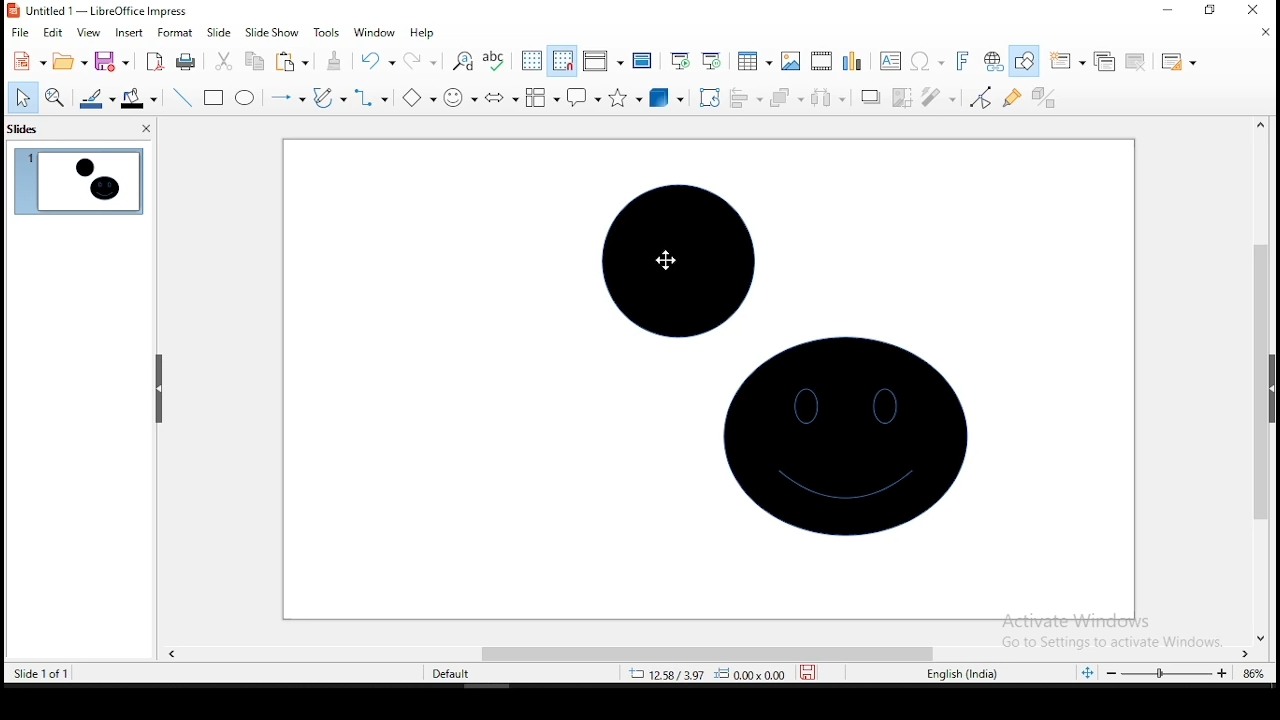  What do you see at coordinates (1086, 671) in the screenshot?
I see `fit slide to current window` at bounding box center [1086, 671].